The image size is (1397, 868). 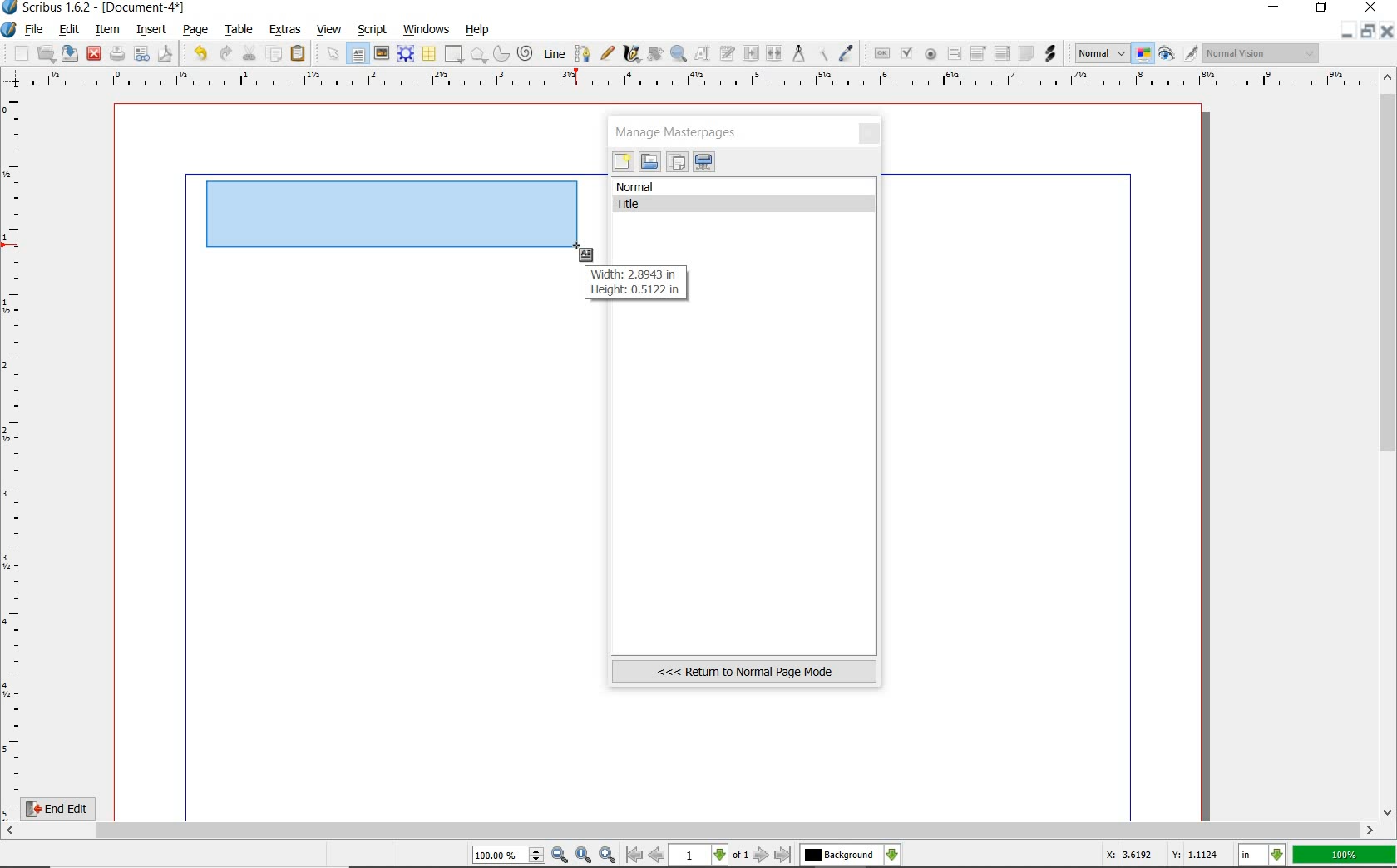 What do you see at coordinates (851, 856) in the screenshot?
I see `Background` at bounding box center [851, 856].